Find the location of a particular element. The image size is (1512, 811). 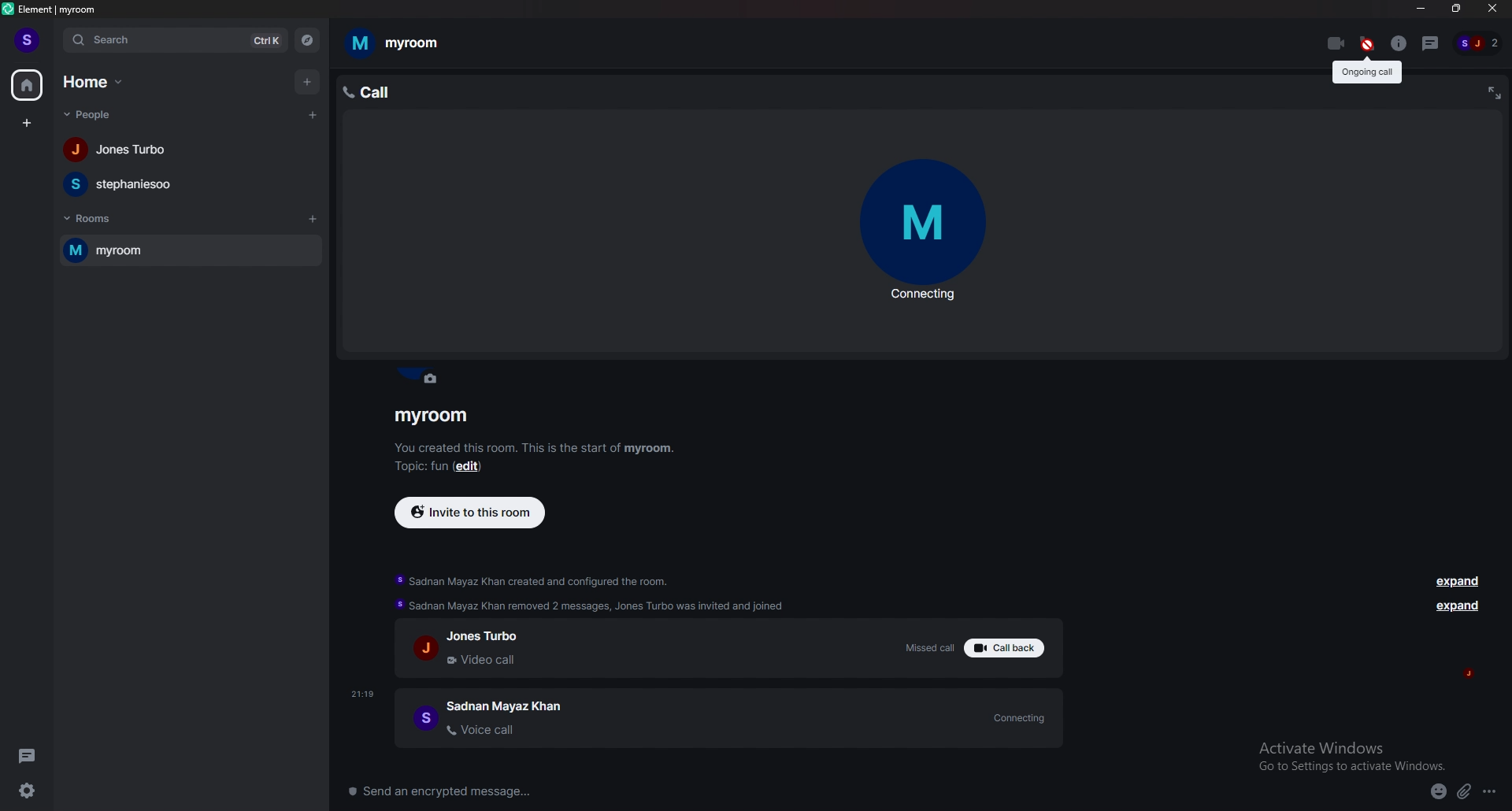

people is located at coordinates (1480, 43).